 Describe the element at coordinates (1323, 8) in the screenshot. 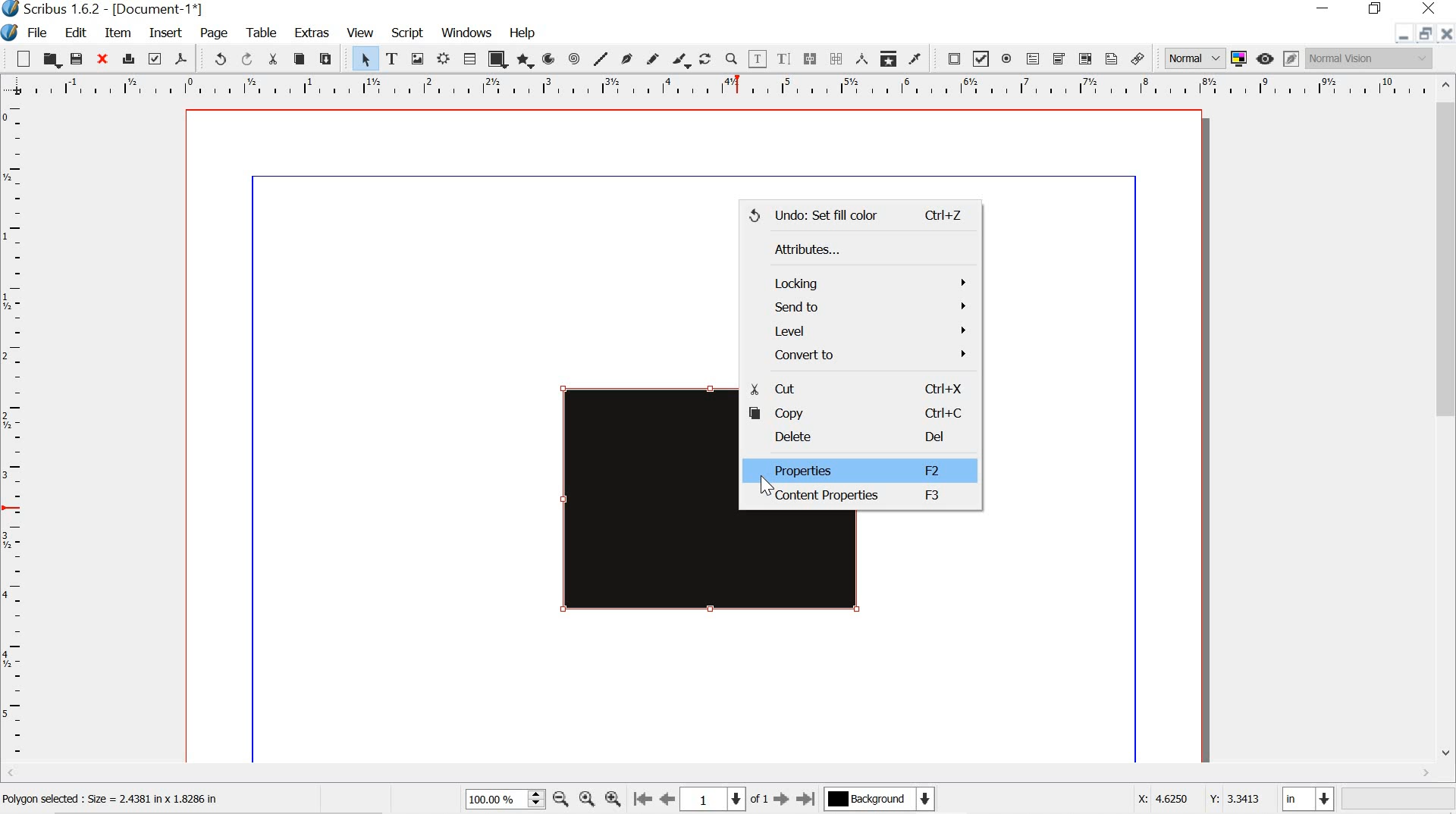

I see `minimize` at that location.